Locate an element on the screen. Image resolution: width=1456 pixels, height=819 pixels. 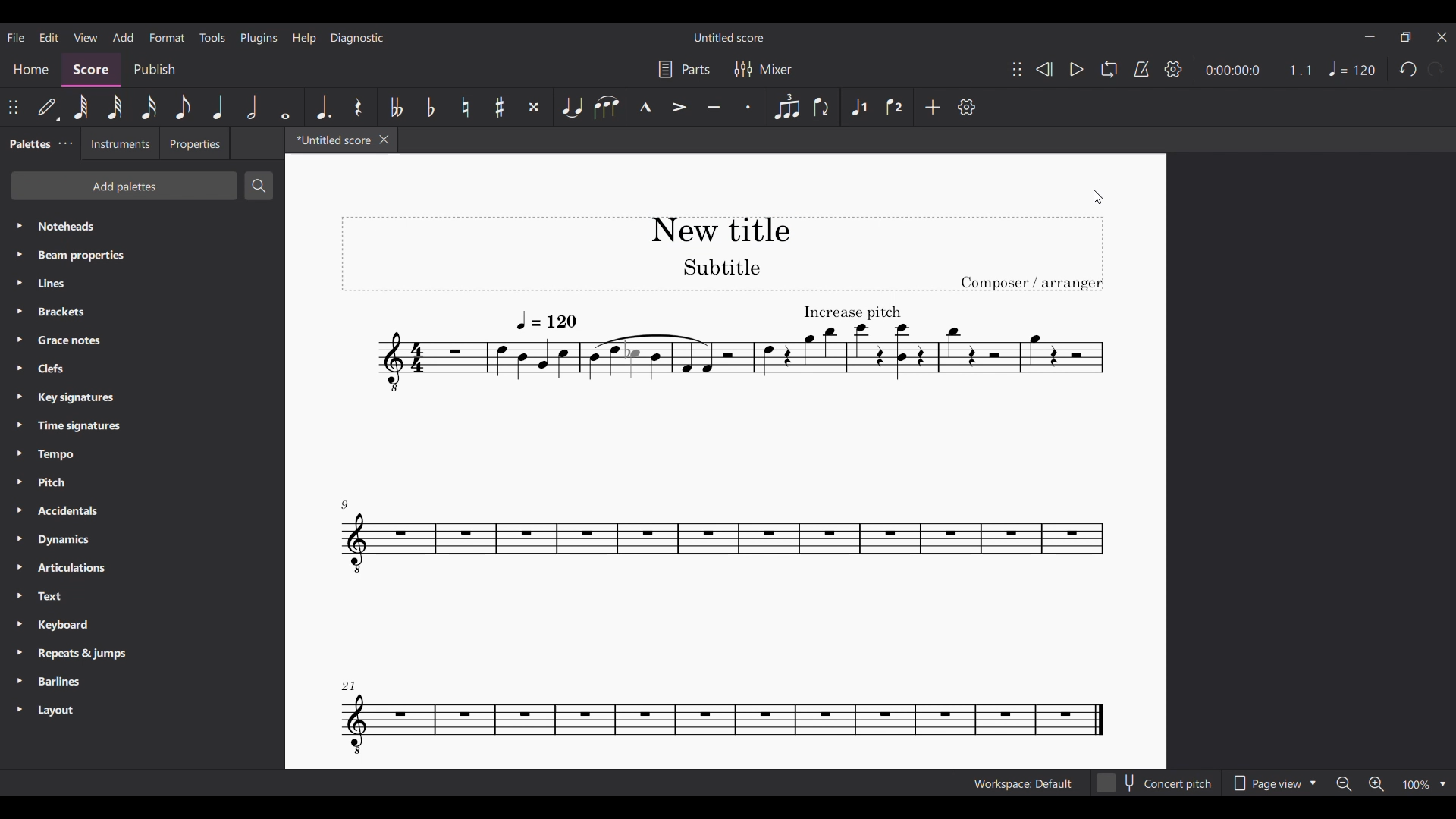
Toggle flat is located at coordinates (431, 107).